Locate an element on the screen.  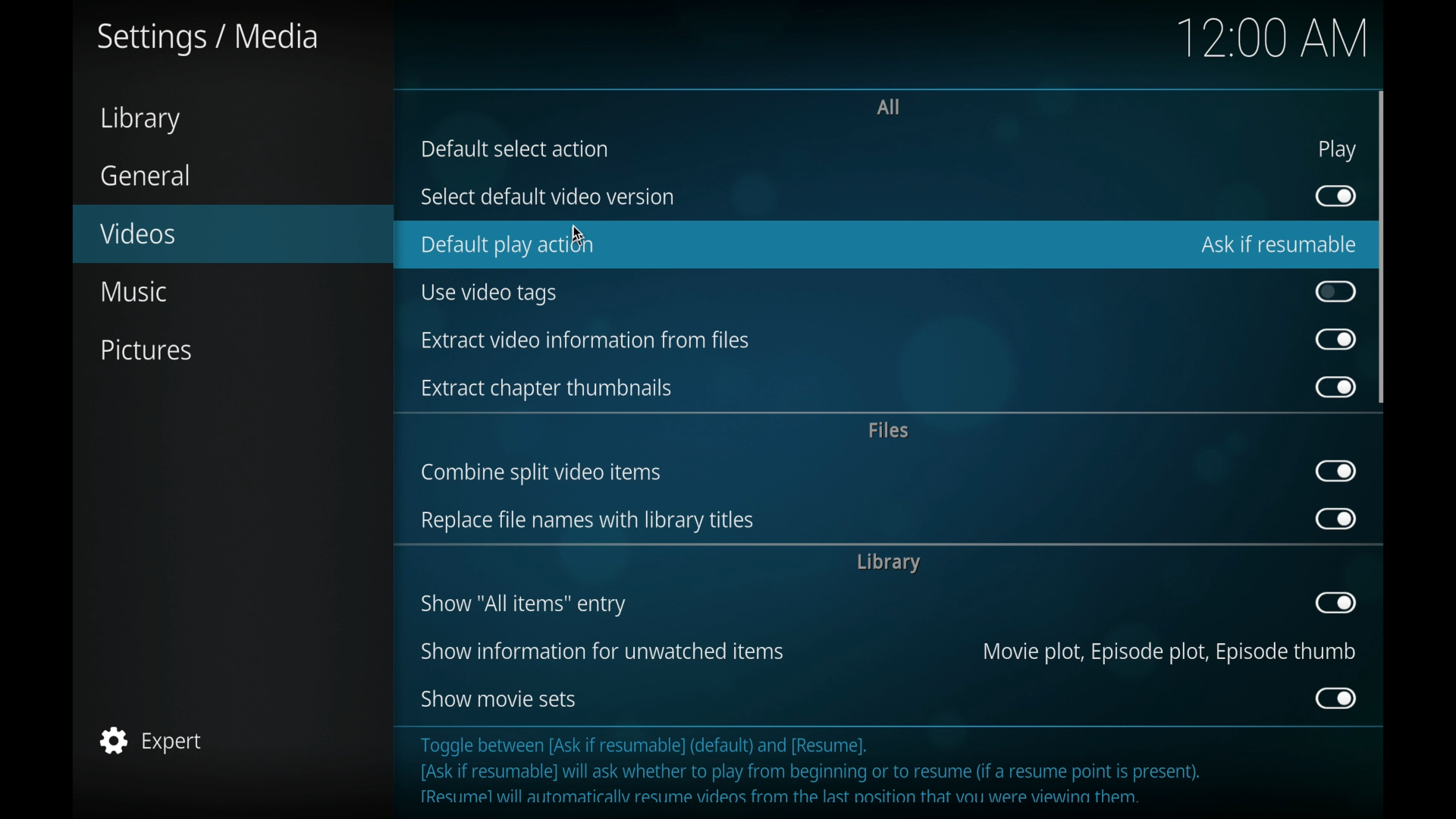
show all items entry is located at coordinates (524, 605).